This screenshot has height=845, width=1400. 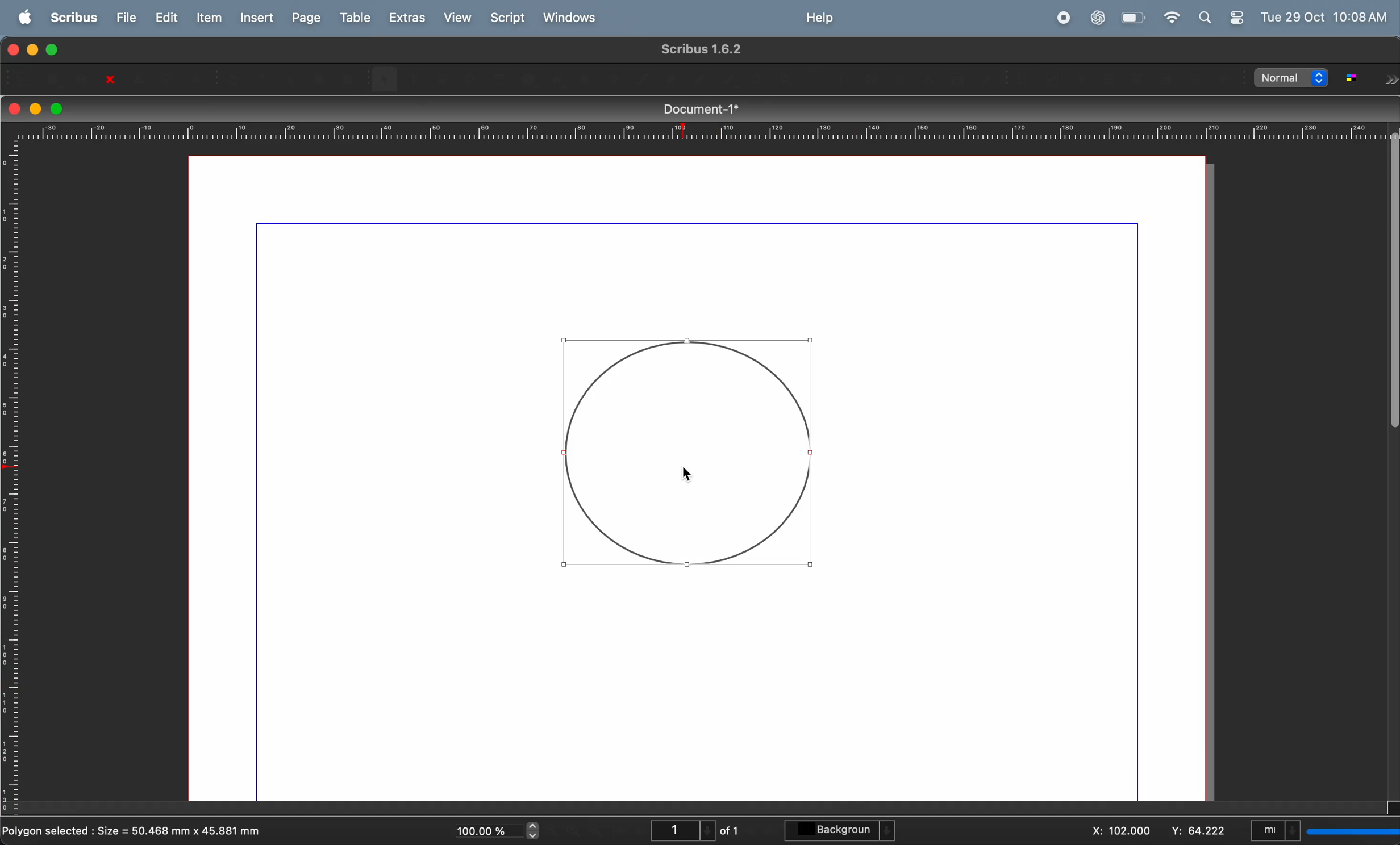 What do you see at coordinates (122, 16) in the screenshot?
I see `file` at bounding box center [122, 16].